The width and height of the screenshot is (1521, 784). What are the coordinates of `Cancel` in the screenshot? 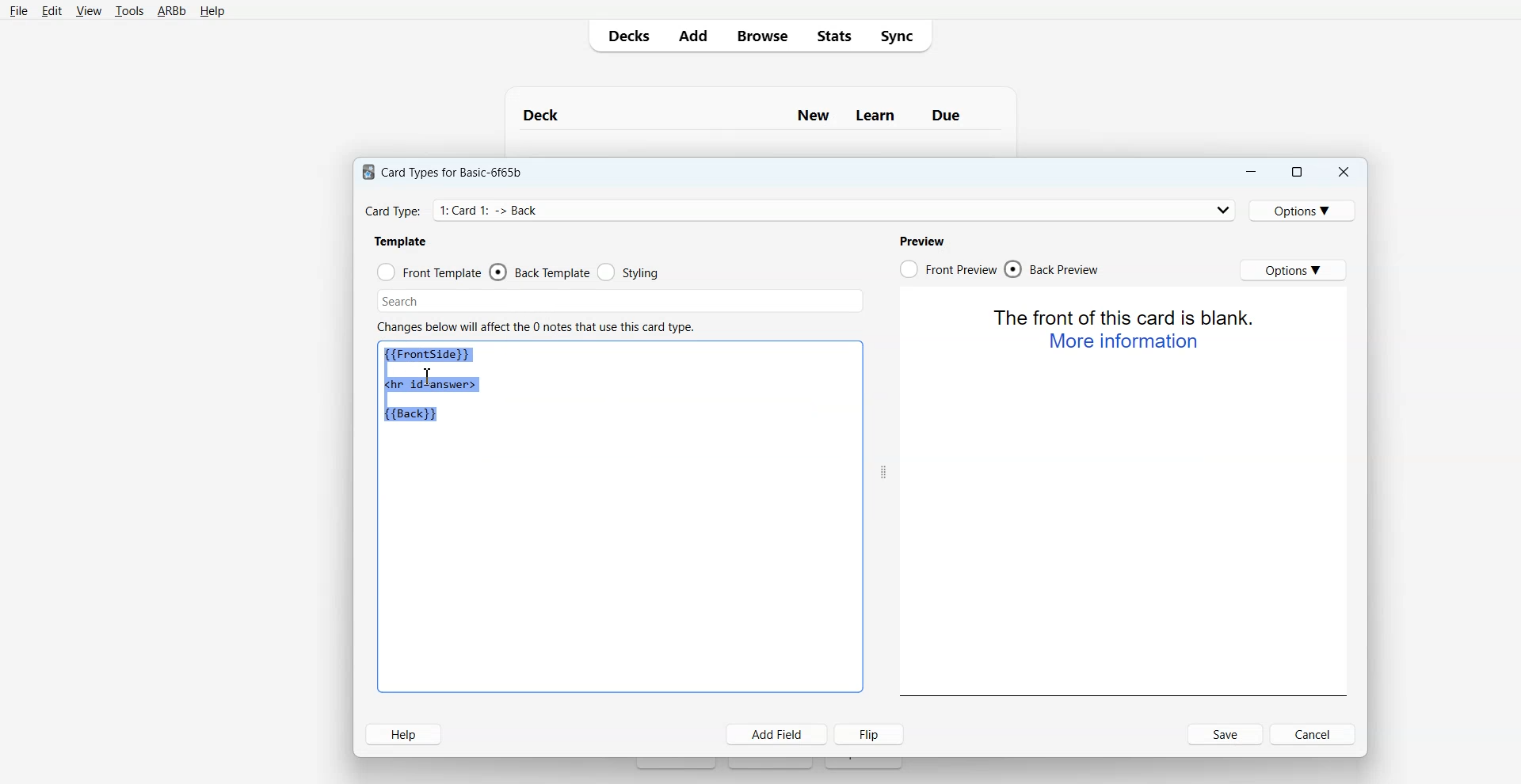 It's located at (1313, 734).